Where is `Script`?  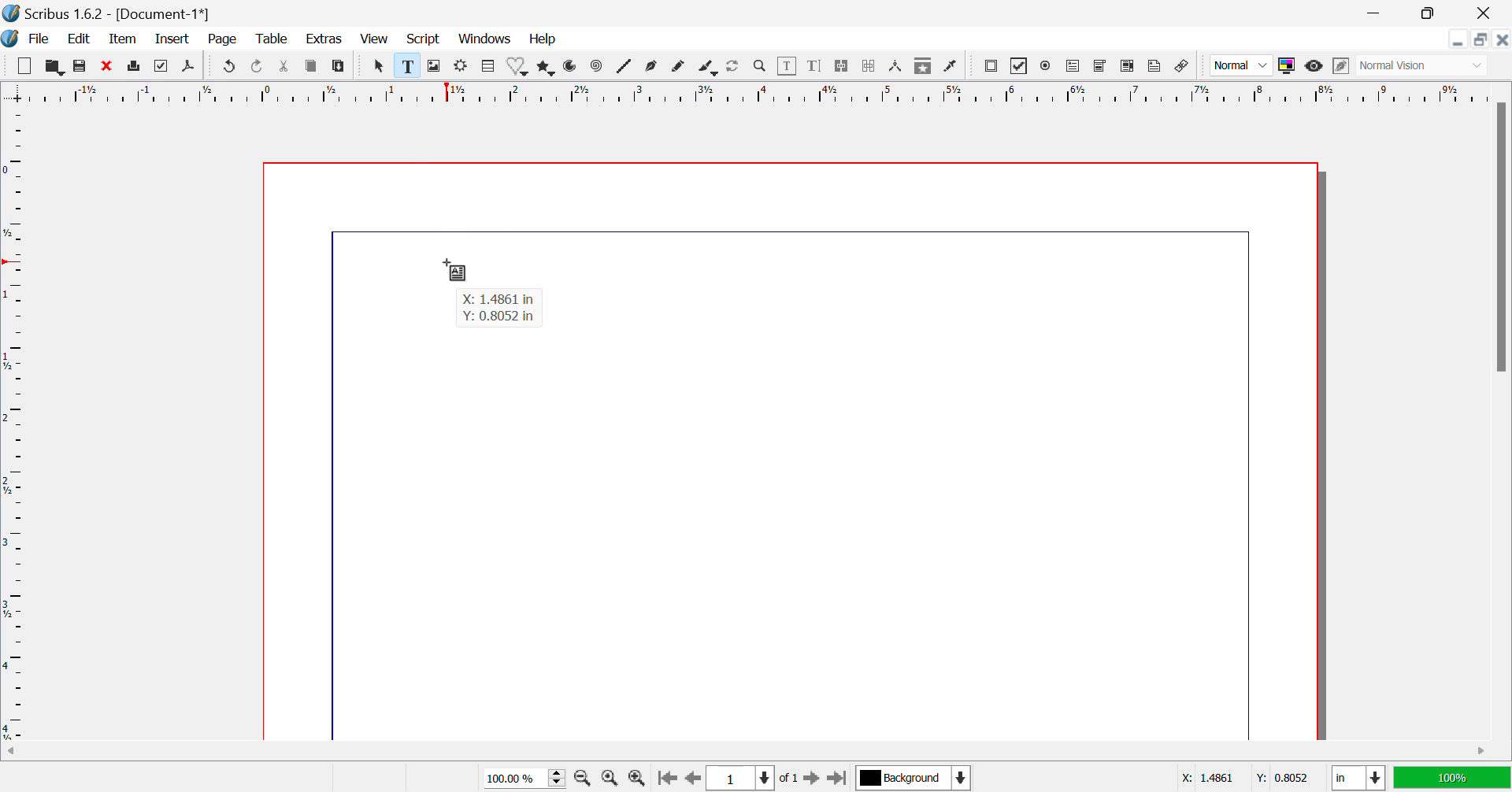 Script is located at coordinates (422, 40).